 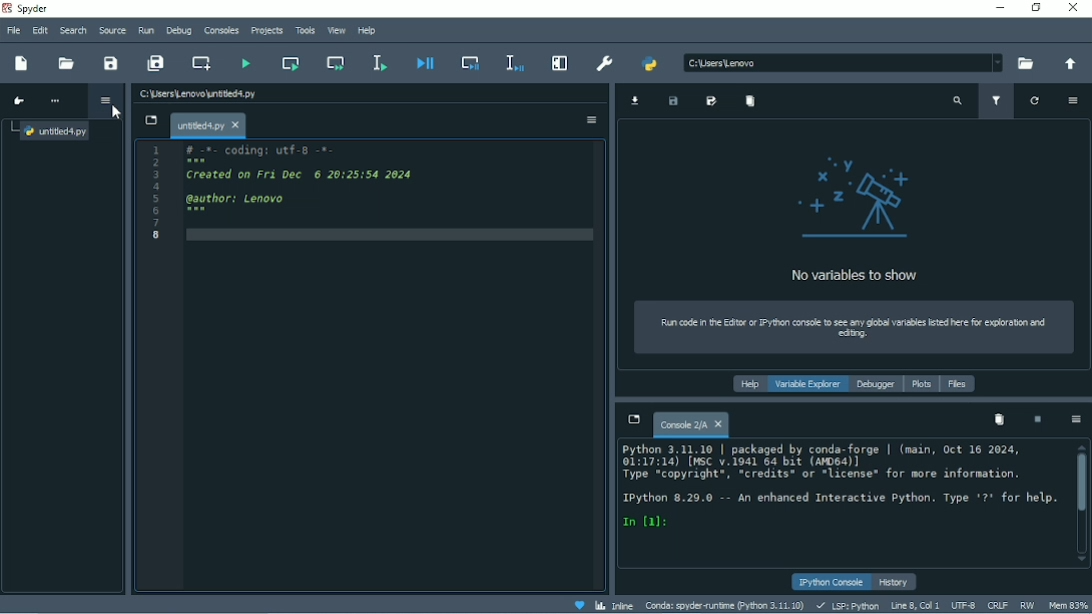 What do you see at coordinates (710, 101) in the screenshot?
I see `Save data as` at bounding box center [710, 101].